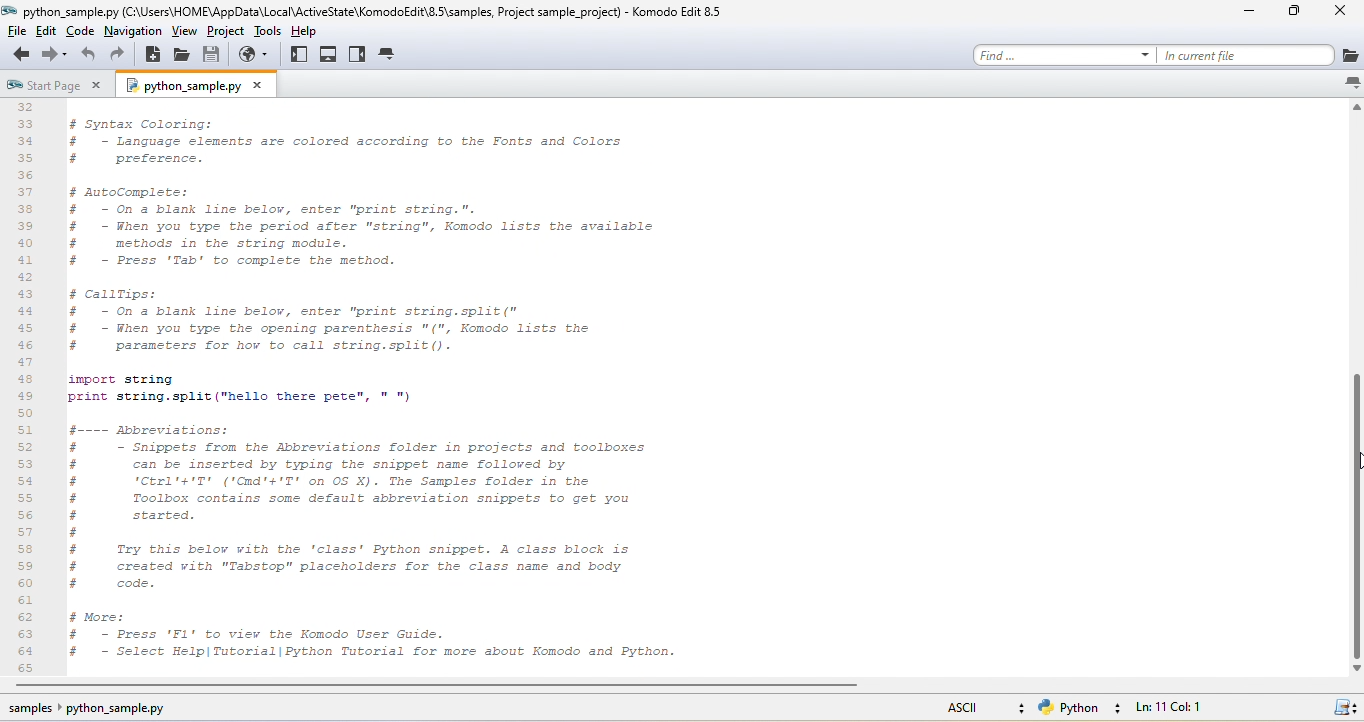 The width and height of the screenshot is (1364, 722). Describe the element at coordinates (1202, 709) in the screenshot. I see `lnc11, col 1` at that location.